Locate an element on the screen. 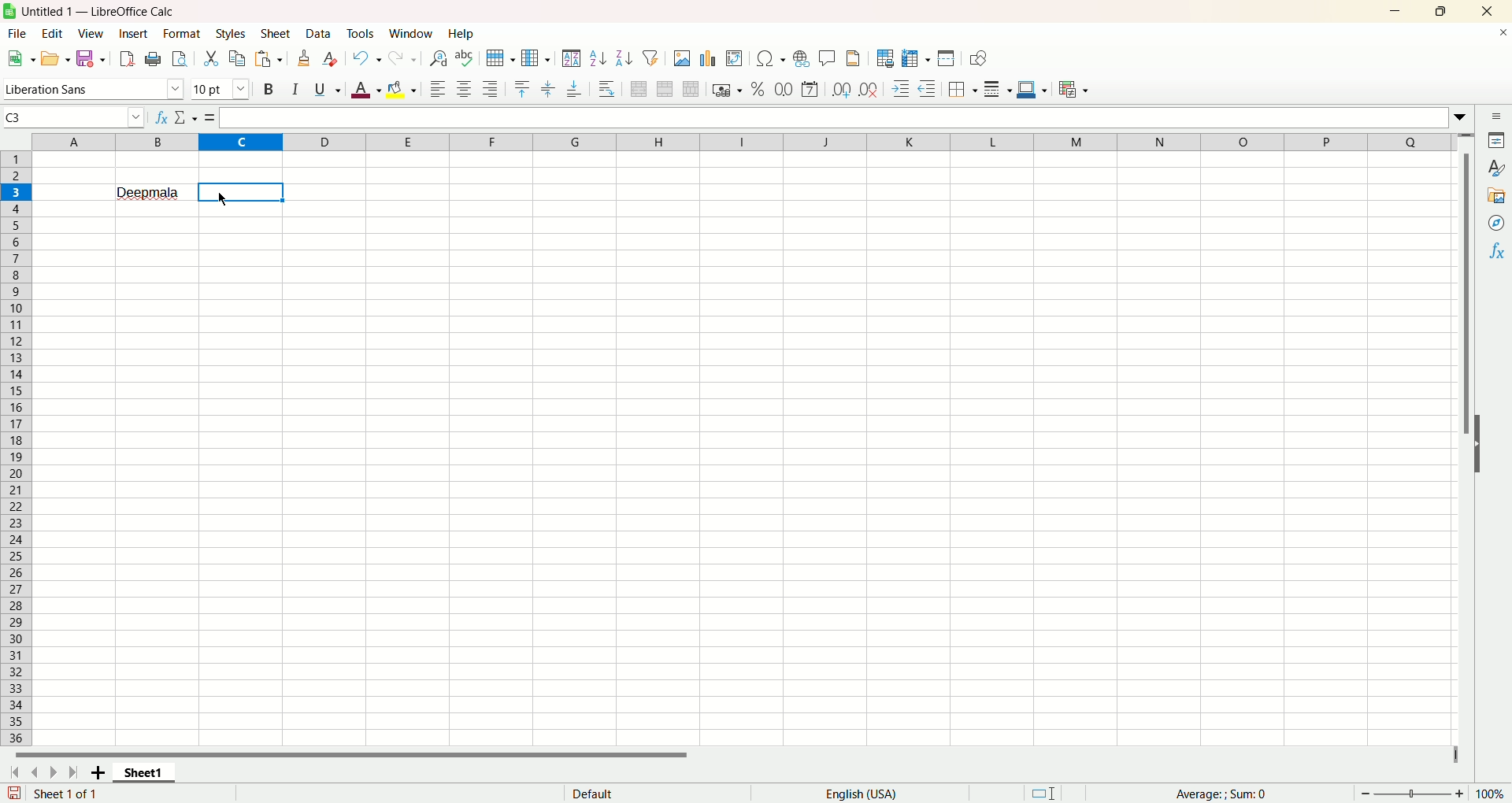 The width and height of the screenshot is (1512, 803). Autofilter is located at coordinates (650, 57).